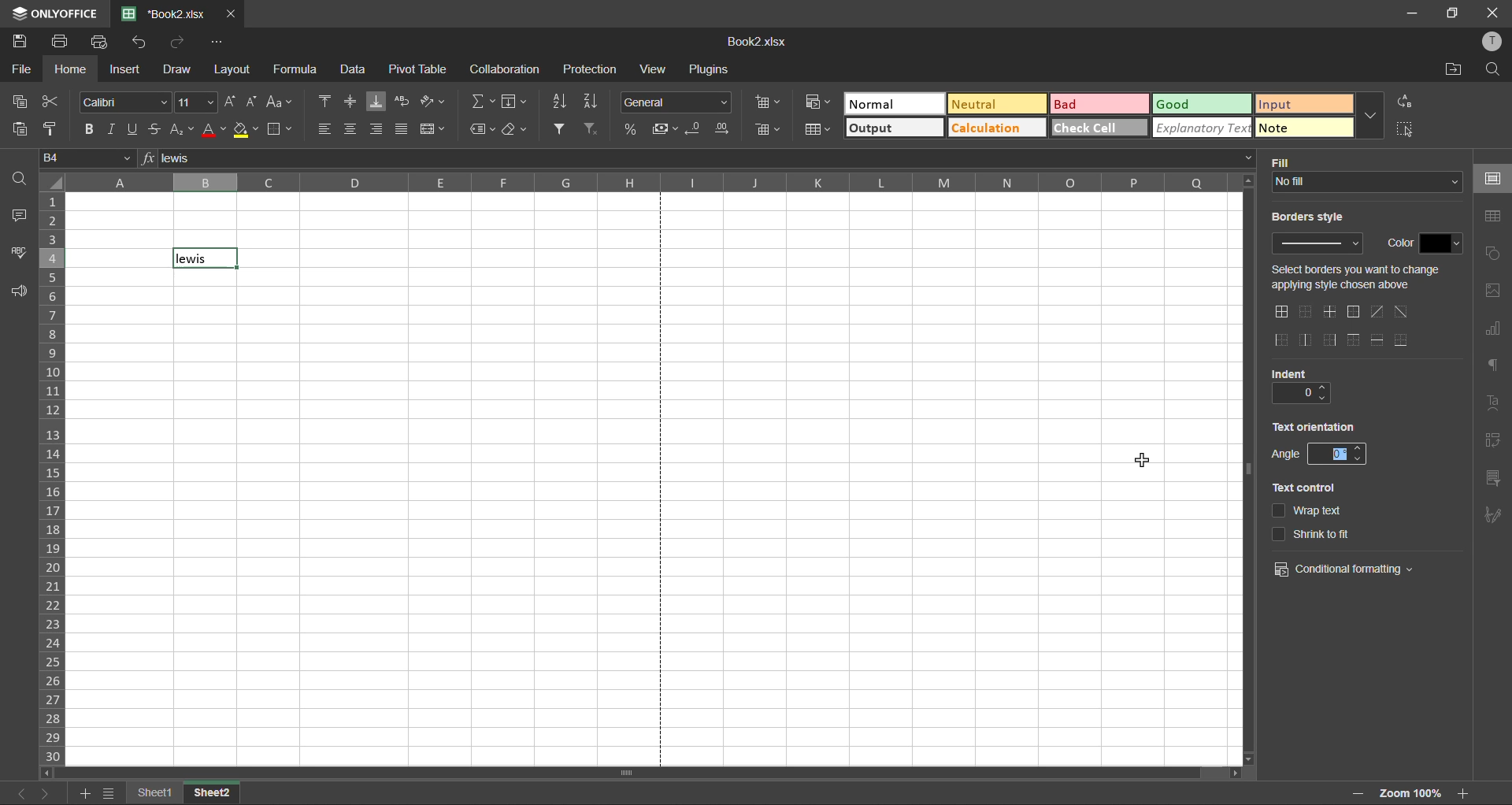 The image size is (1512, 805). What do you see at coordinates (70, 70) in the screenshot?
I see `home` at bounding box center [70, 70].